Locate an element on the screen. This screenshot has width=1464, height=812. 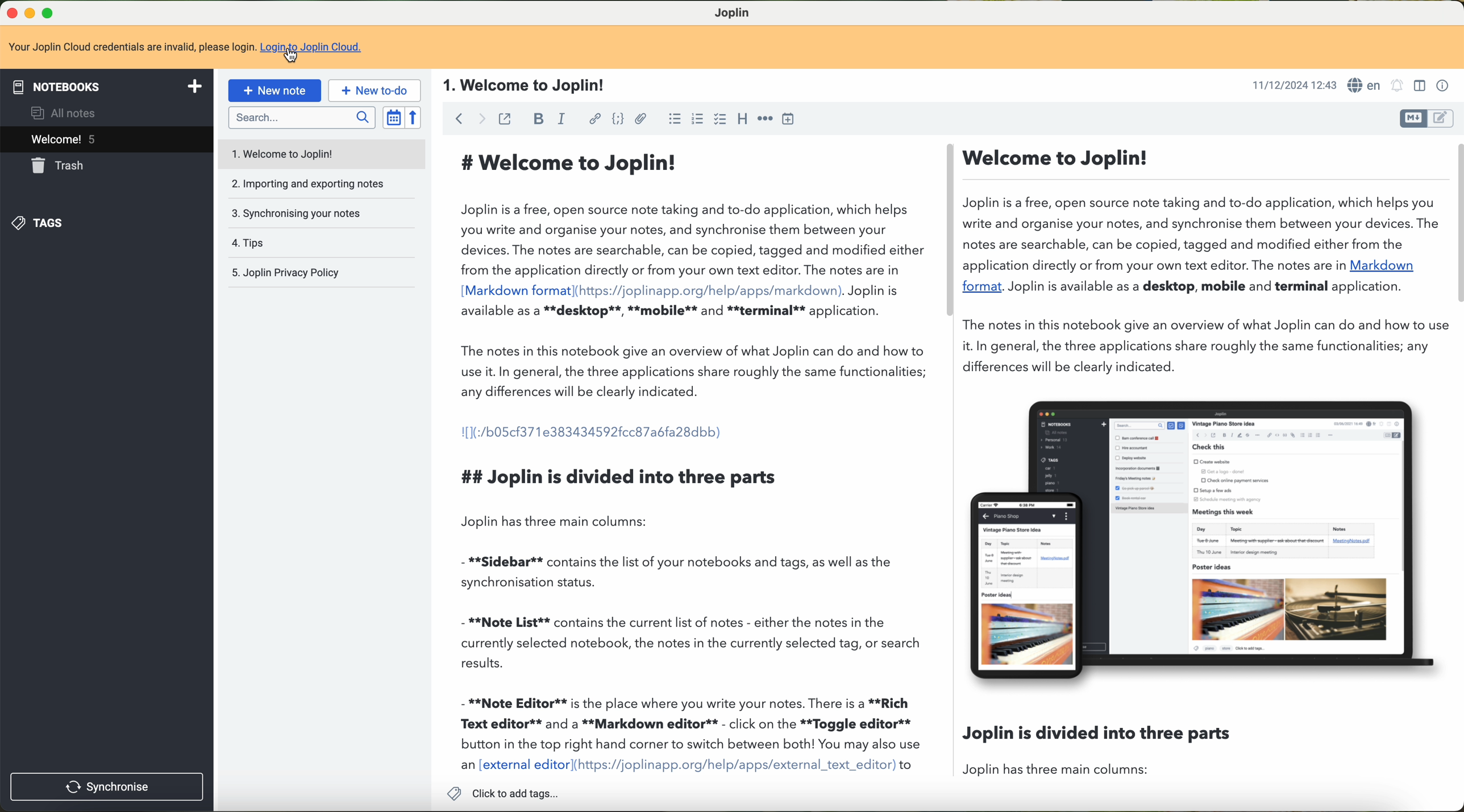
Joplin is located at coordinates (733, 11).